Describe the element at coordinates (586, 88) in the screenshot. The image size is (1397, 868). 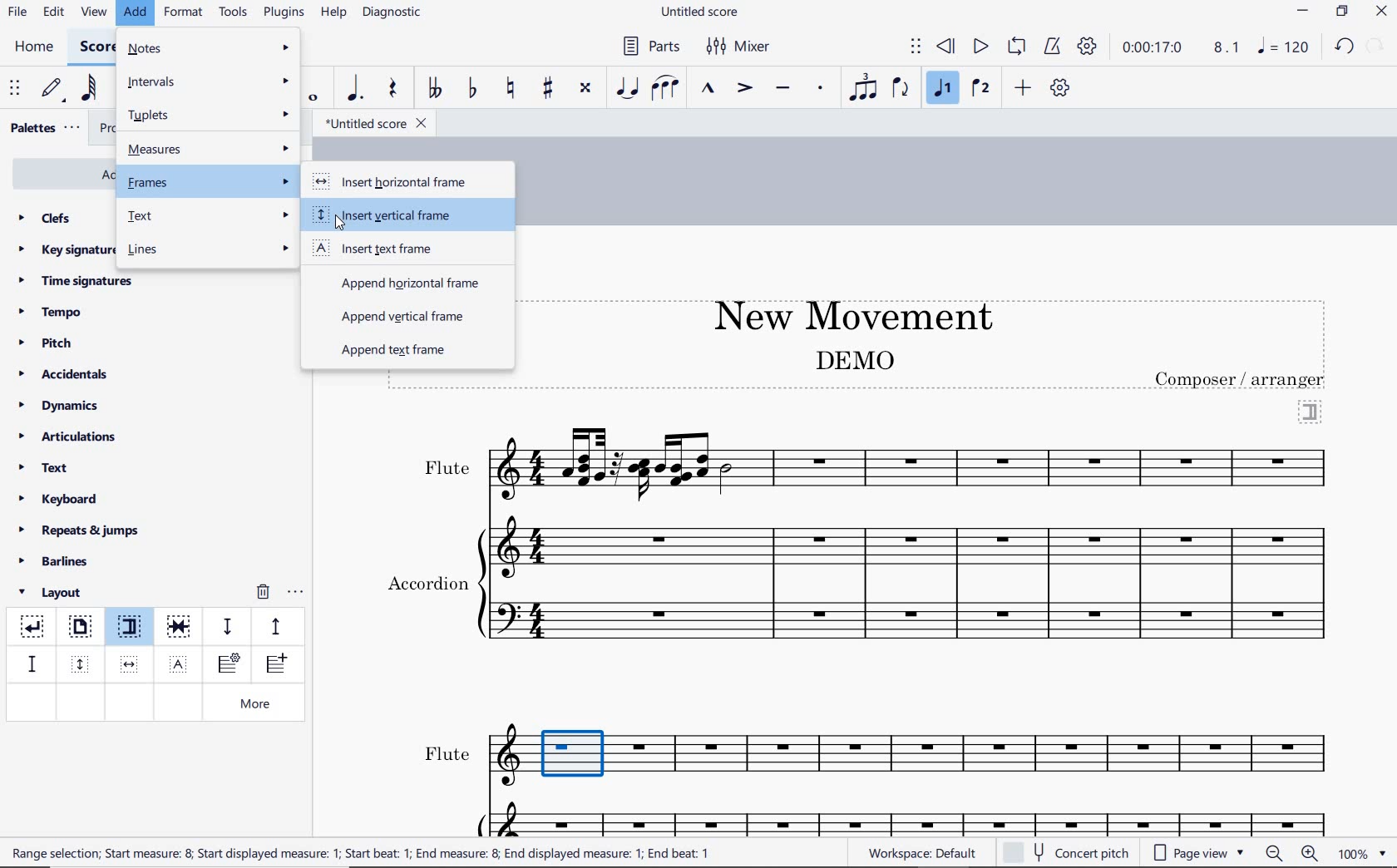
I see `toggle double-sharp` at that location.